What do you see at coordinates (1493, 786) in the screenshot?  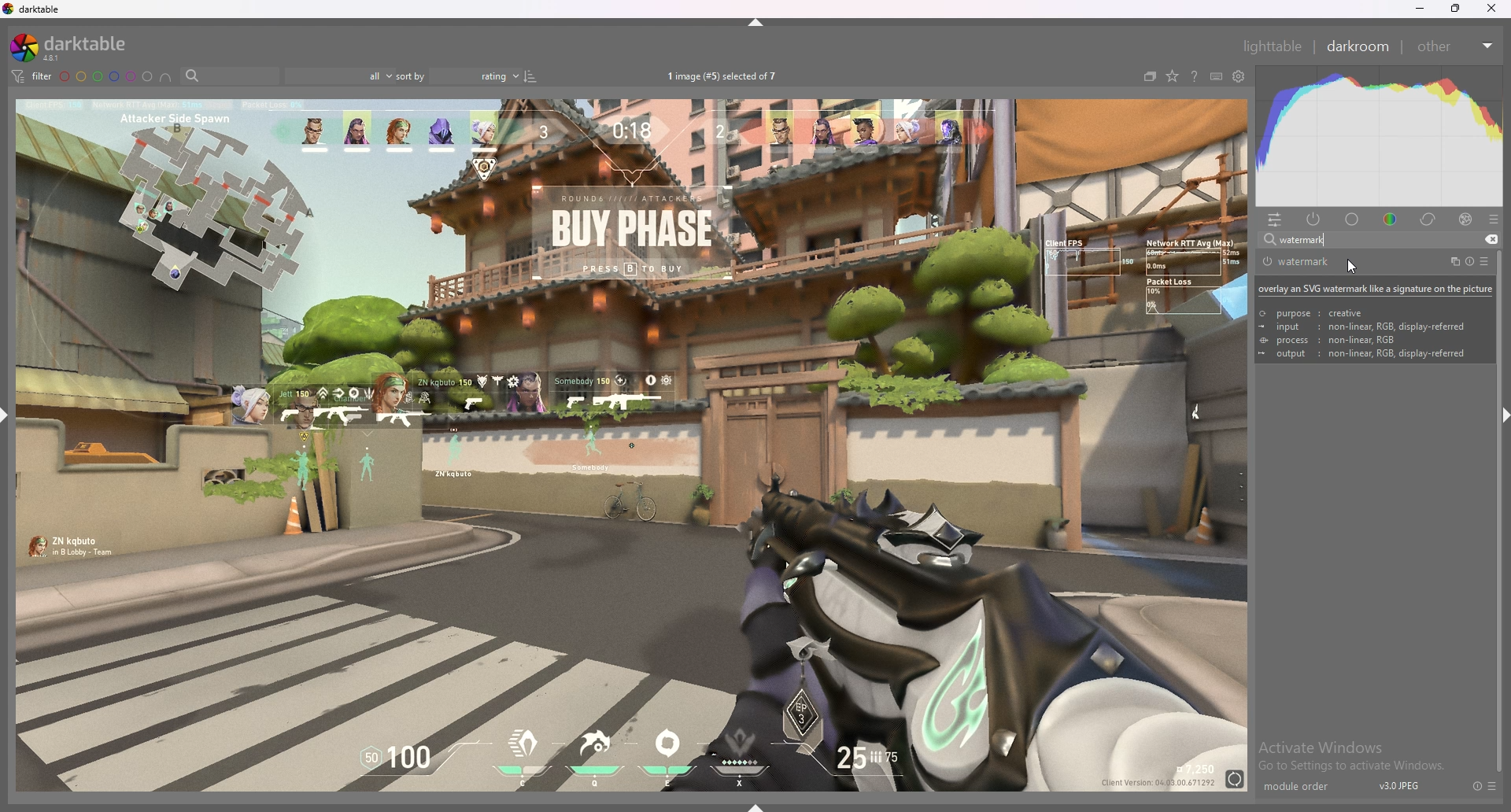 I see `presets` at bounding box center [1493, 786].